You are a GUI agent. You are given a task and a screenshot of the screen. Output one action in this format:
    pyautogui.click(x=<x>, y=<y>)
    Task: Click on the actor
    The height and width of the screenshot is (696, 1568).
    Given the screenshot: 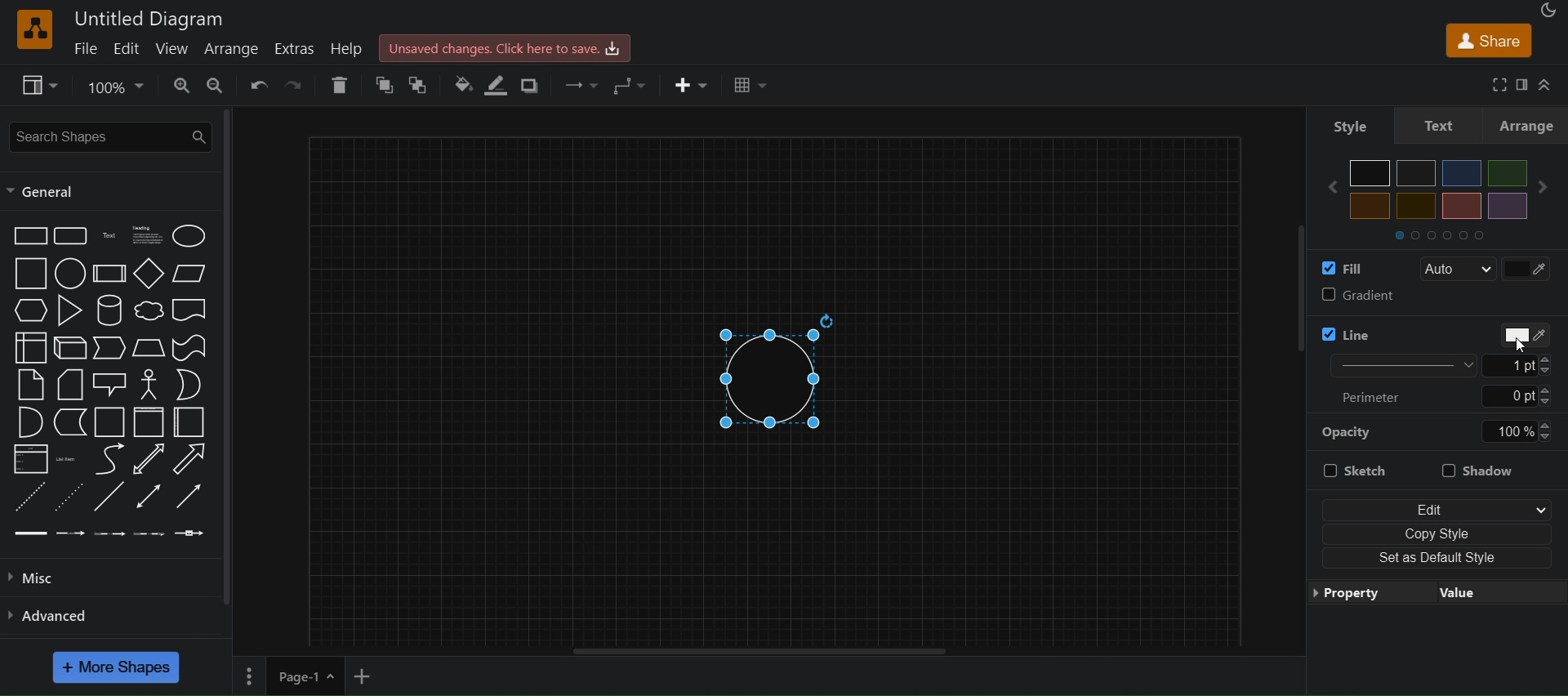 What is the action you would take?
    pyautogui.click(x=150, y=385)
    